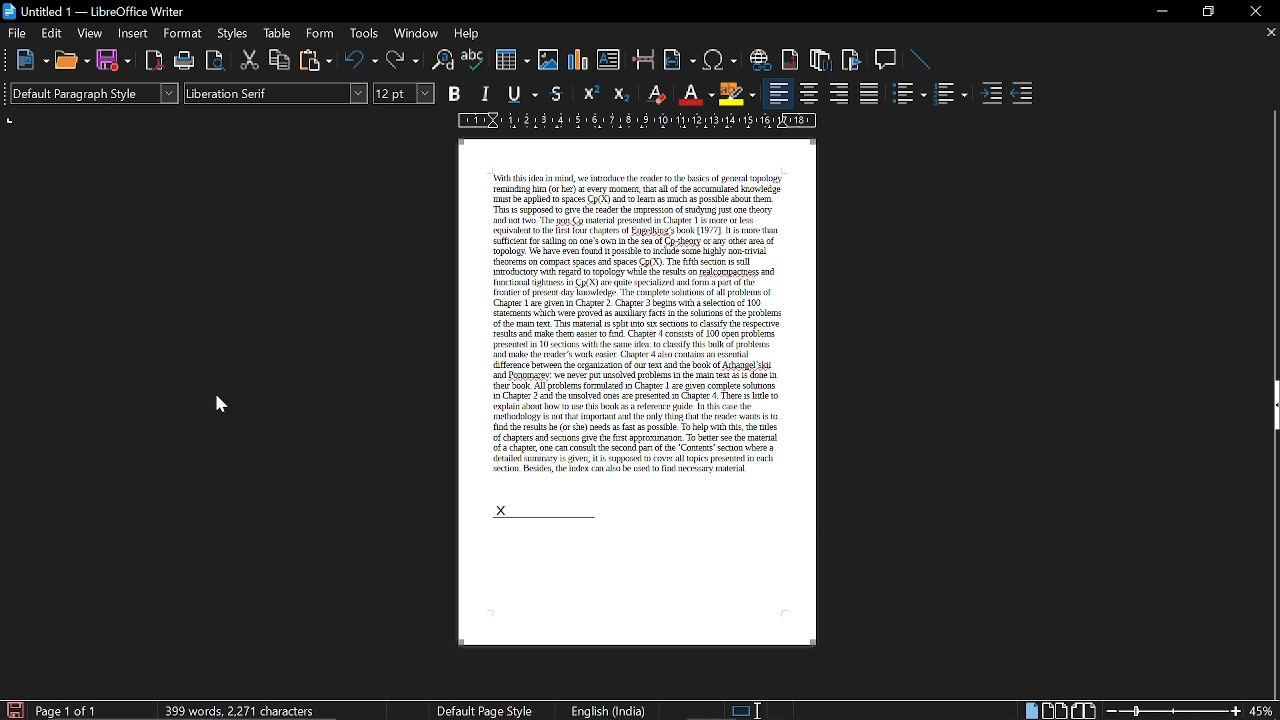 This screenshot has height=720, width=1280. What do you see at coordinates (183, 34) in the screenshot?
I see `format` at bounding box center [183, 34].